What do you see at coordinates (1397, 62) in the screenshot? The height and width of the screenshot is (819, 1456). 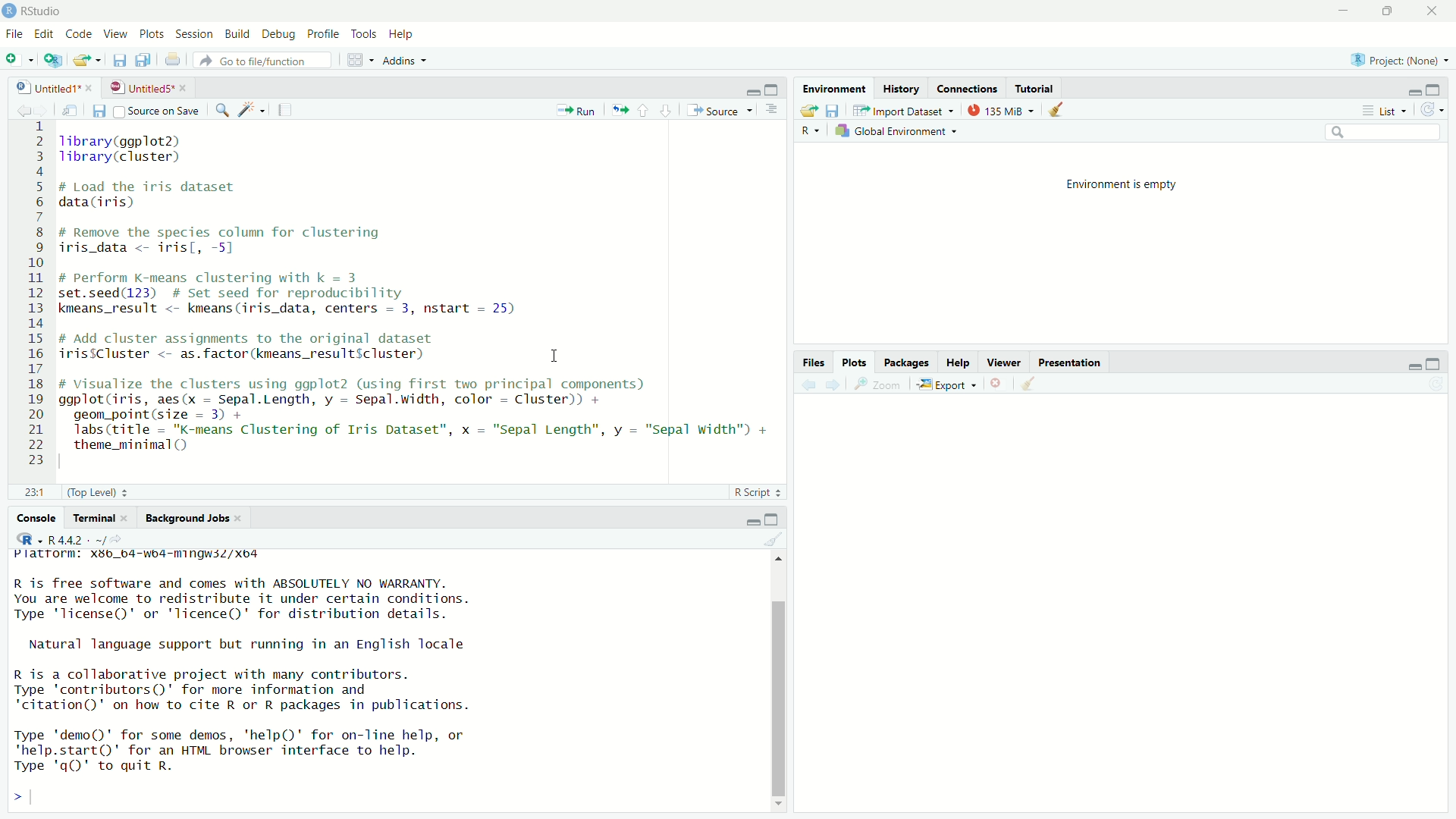 I see `project: (none)` at bounding box center [1397, 62].